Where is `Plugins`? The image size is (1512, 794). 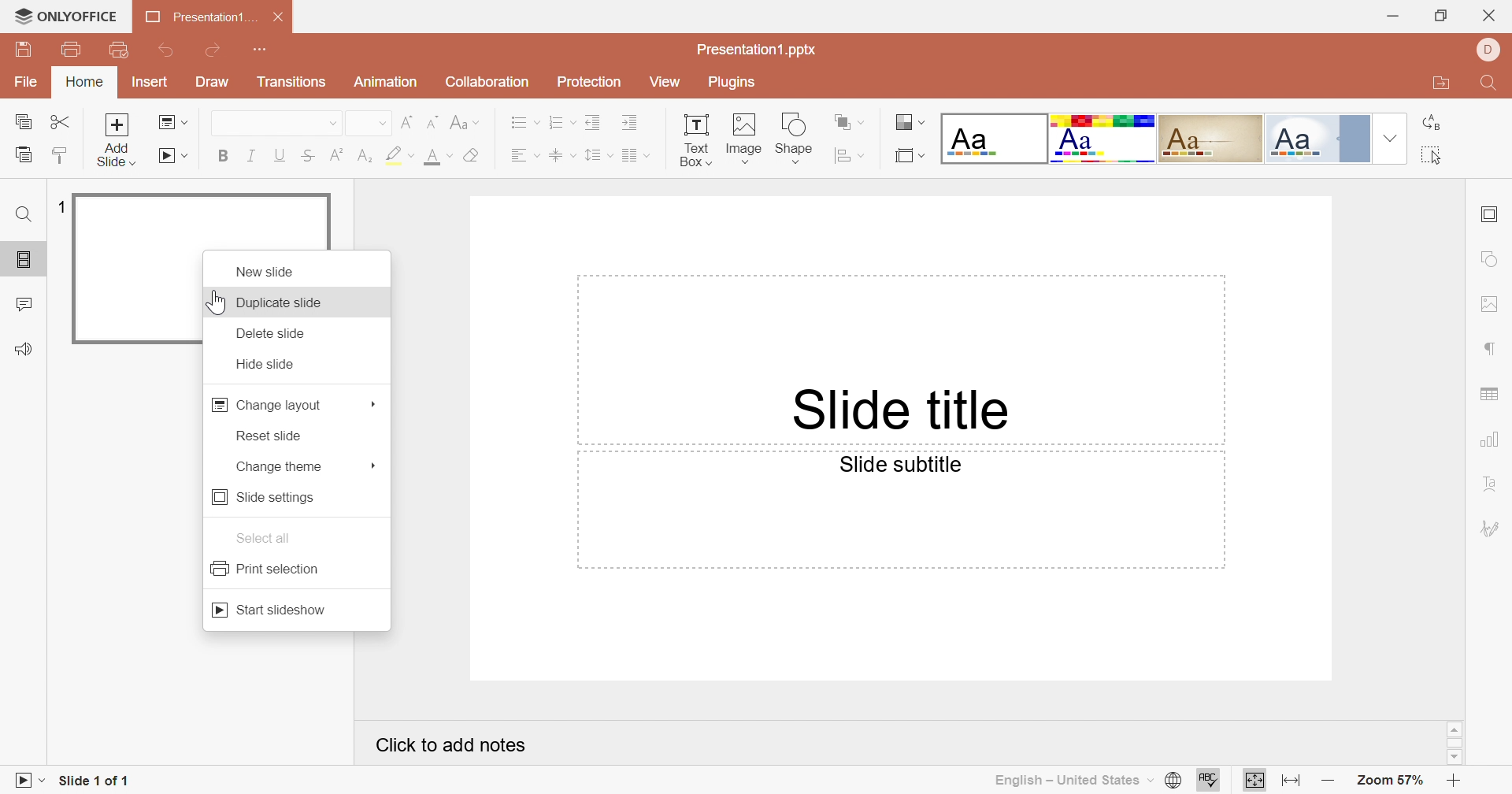
Plugins is located at coordinates (739, 83).